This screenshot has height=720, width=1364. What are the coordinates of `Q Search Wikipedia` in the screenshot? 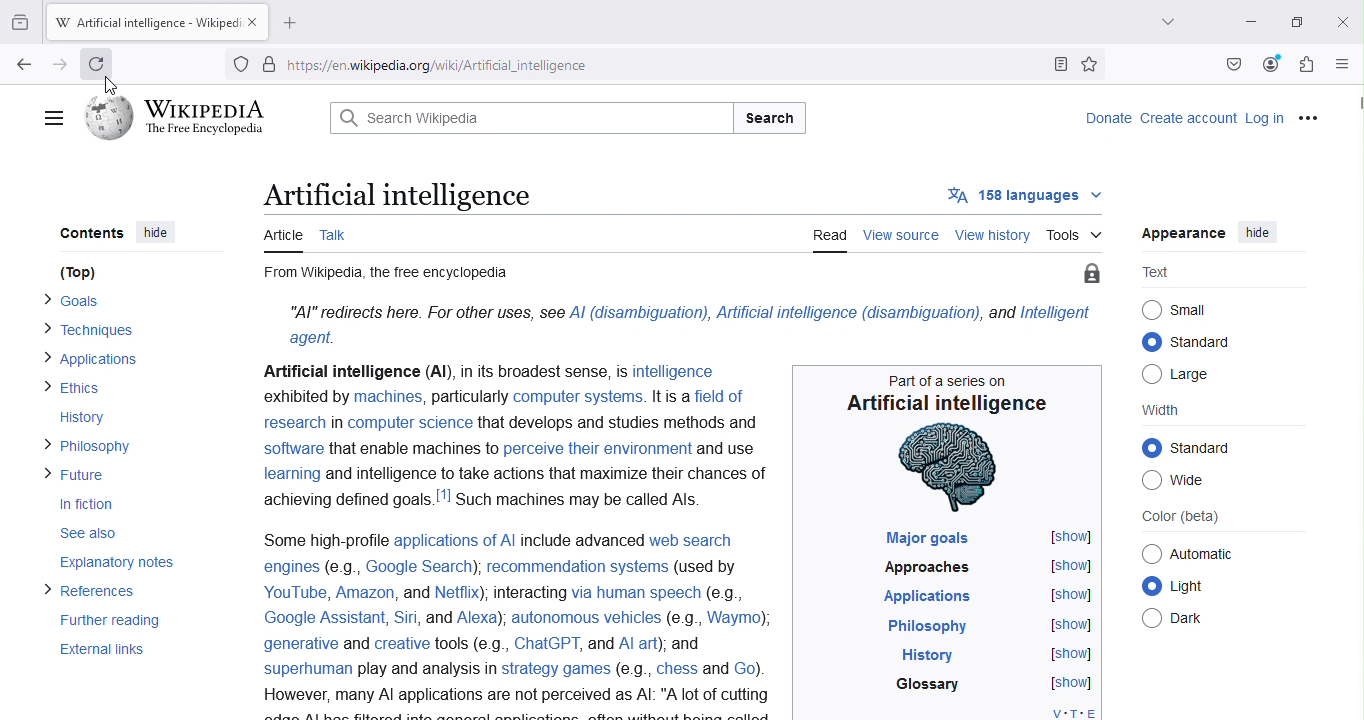 It's located at (533, 117).